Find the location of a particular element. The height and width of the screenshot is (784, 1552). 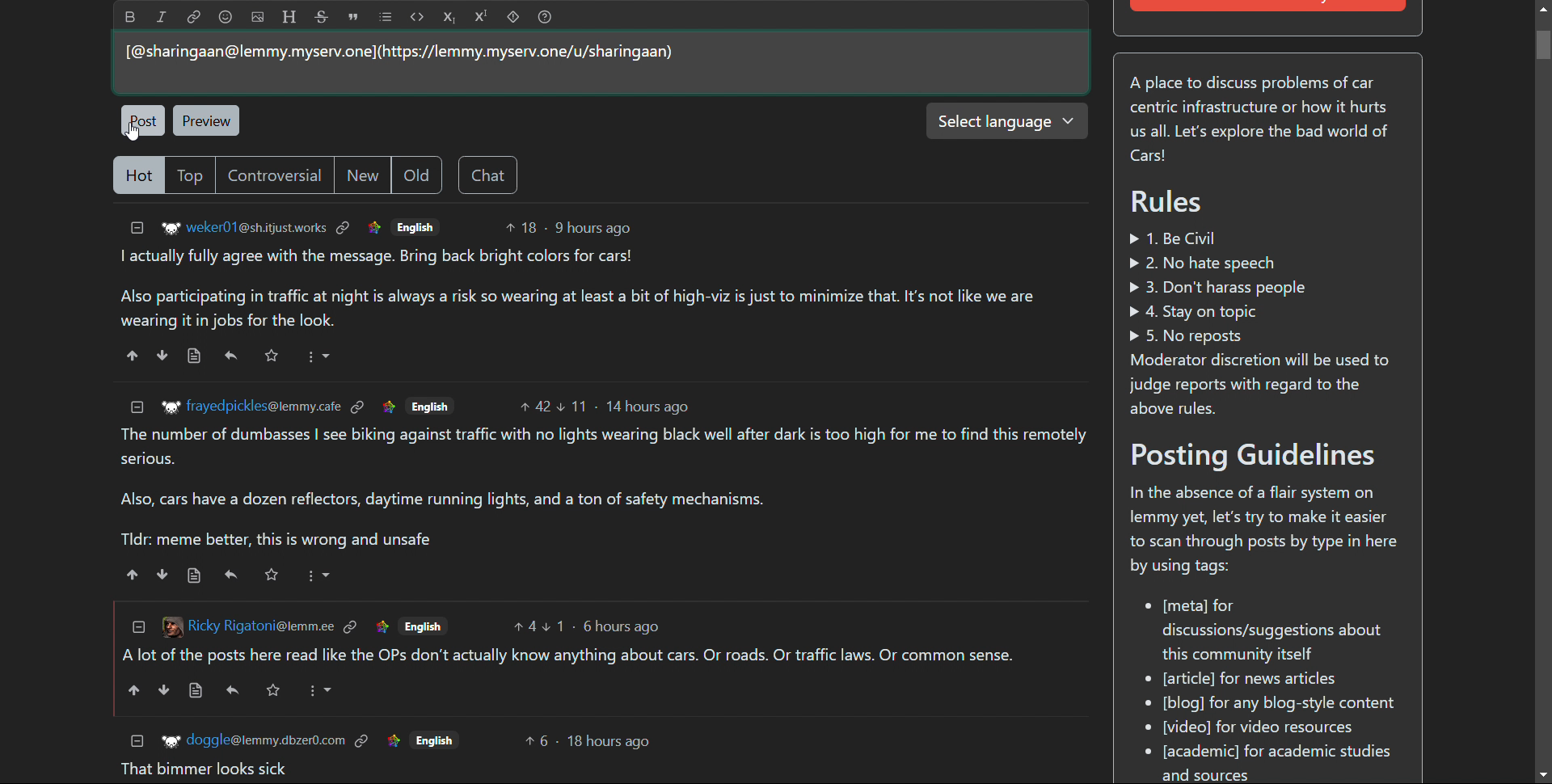

bold is located at coordinates (130, 17).